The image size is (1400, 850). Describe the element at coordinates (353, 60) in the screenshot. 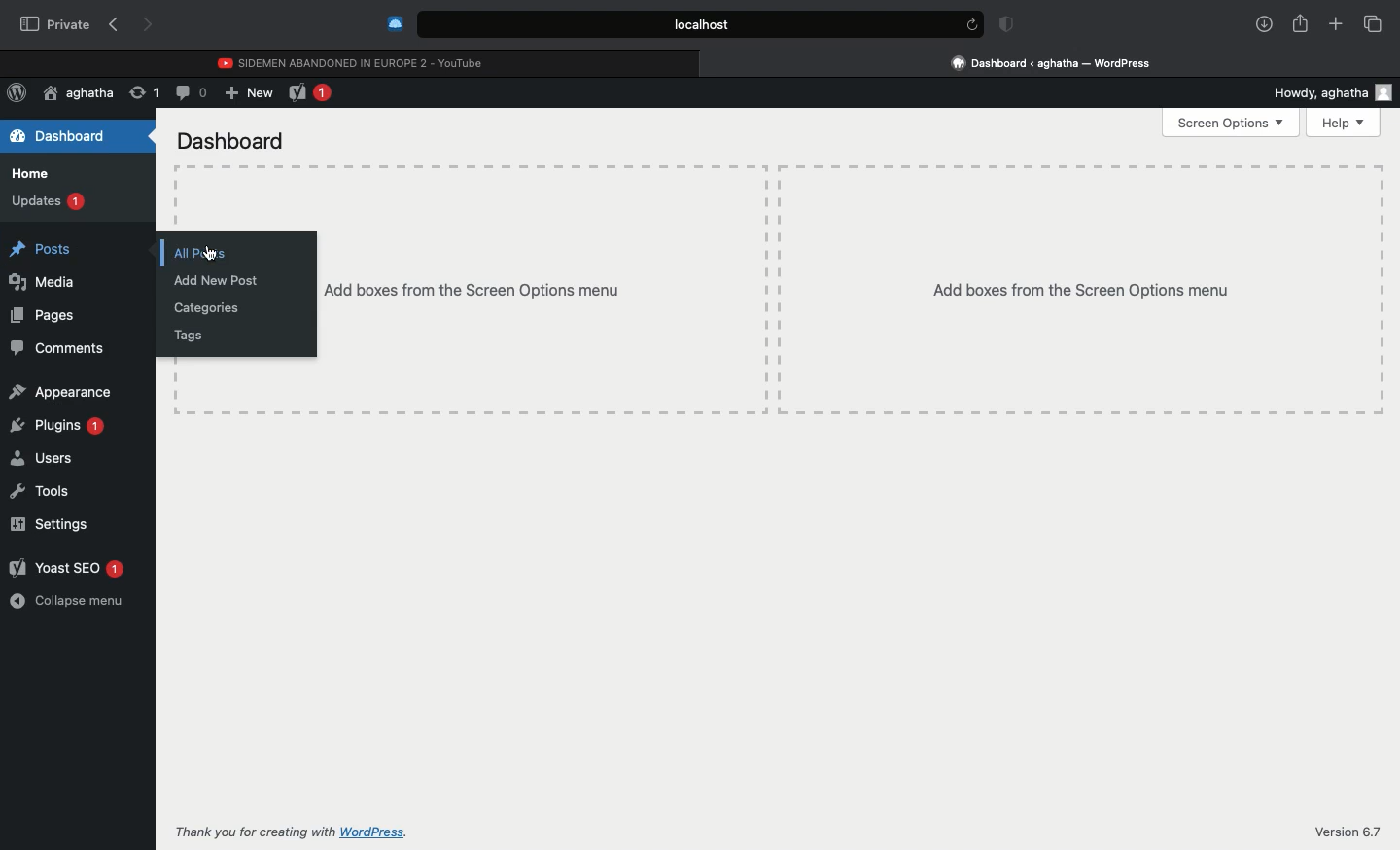

I see `Youtube` at that location.